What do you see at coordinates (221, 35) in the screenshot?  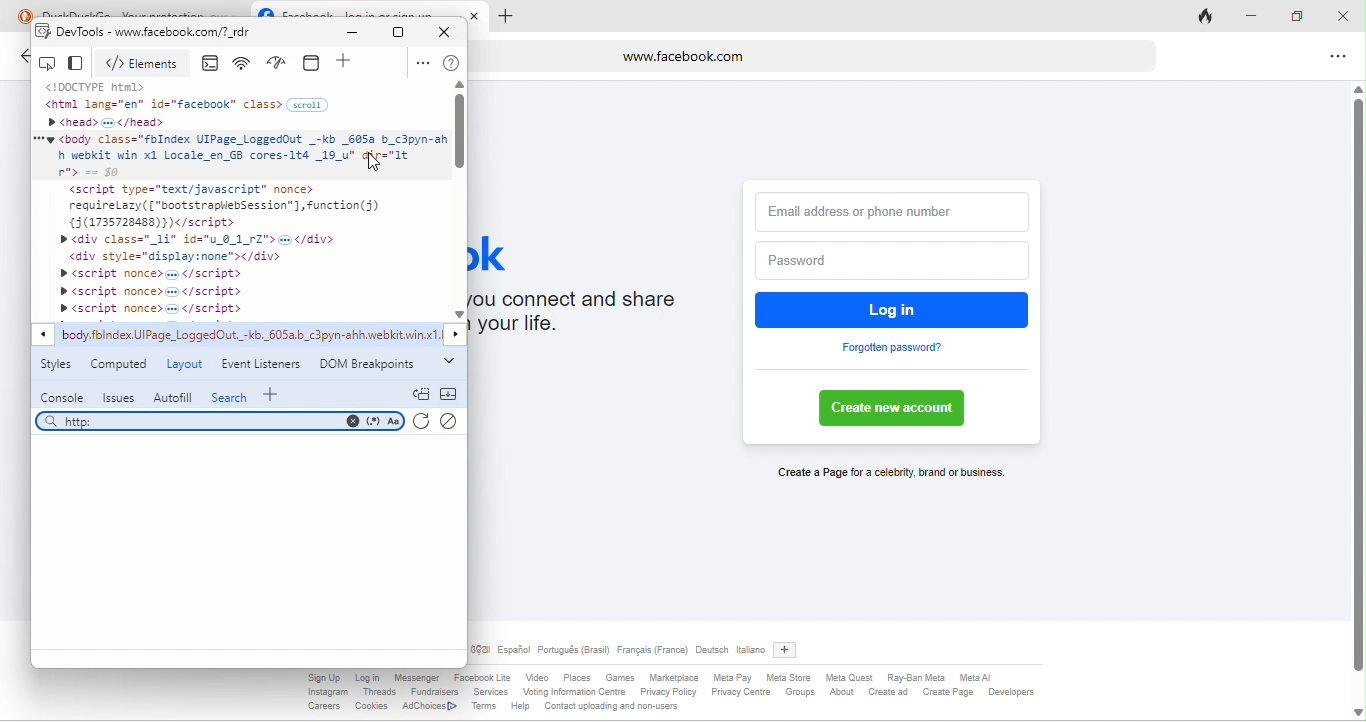 I see `www.facebook.com/lyr` at bounding box center [221, 35].